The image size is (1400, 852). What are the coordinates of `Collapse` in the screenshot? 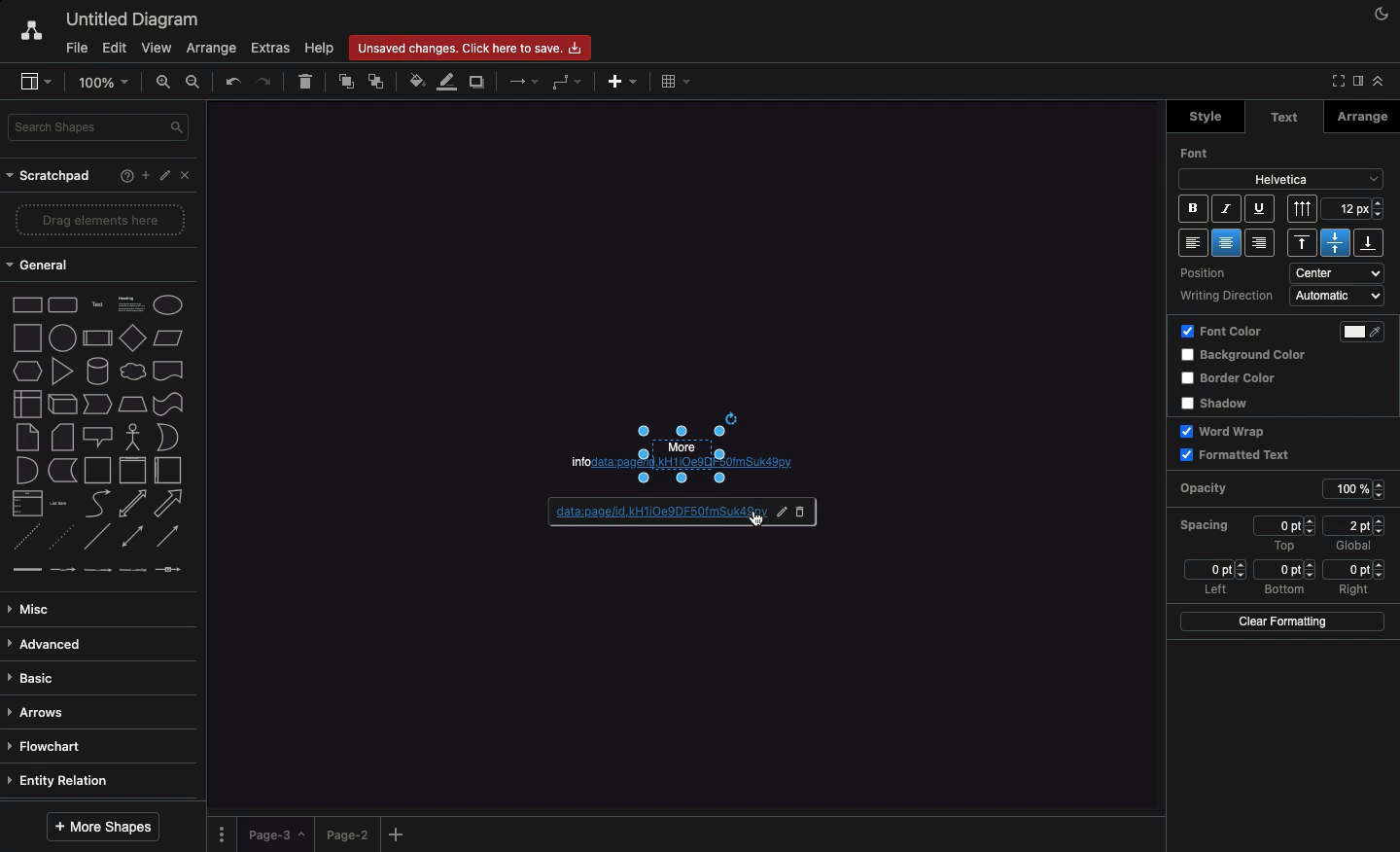 It's located at (1335, 82).